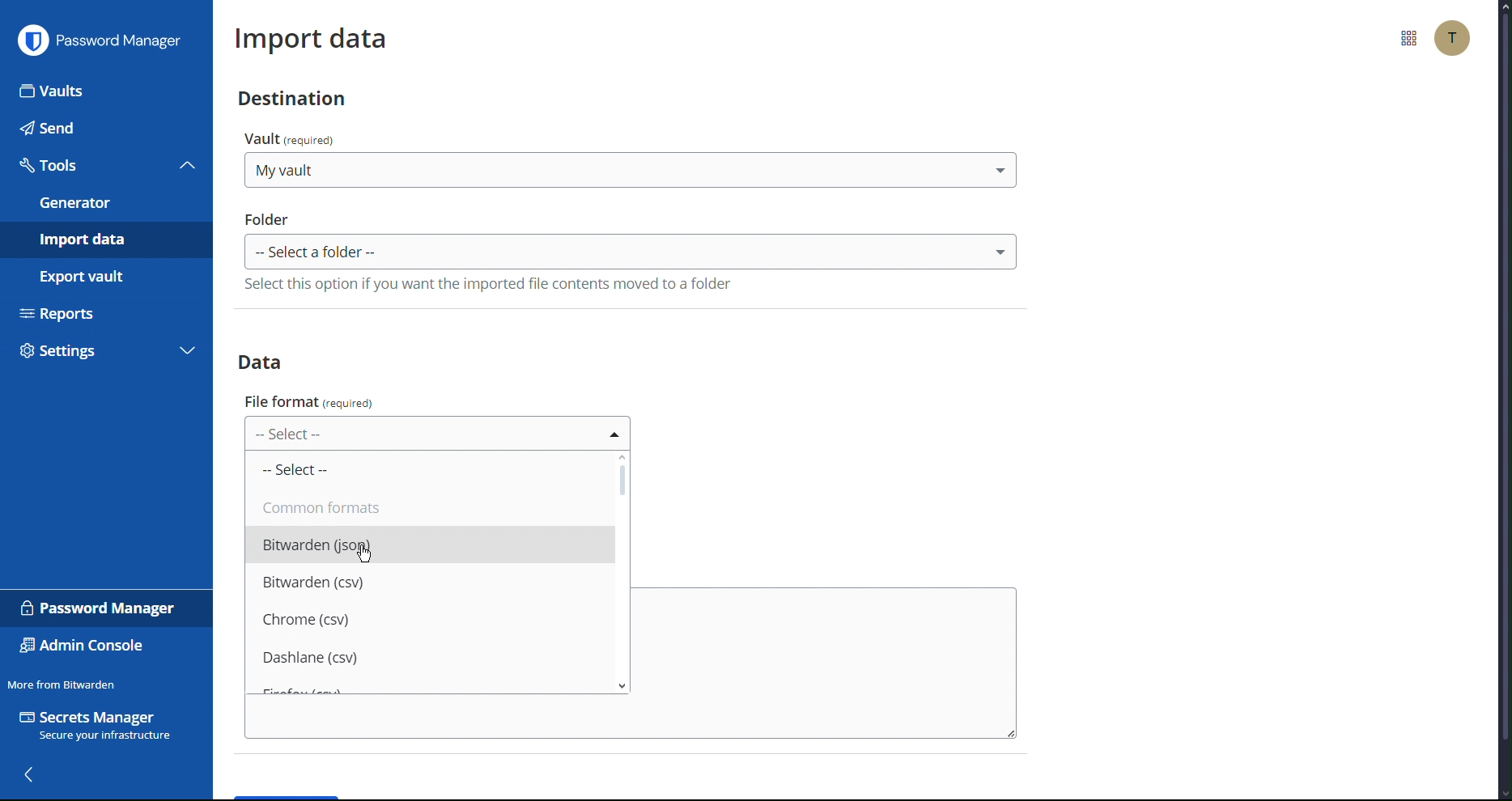 This screenshot has height=801, width=1512. I want to click on Scrollbar, so click(622, 485).